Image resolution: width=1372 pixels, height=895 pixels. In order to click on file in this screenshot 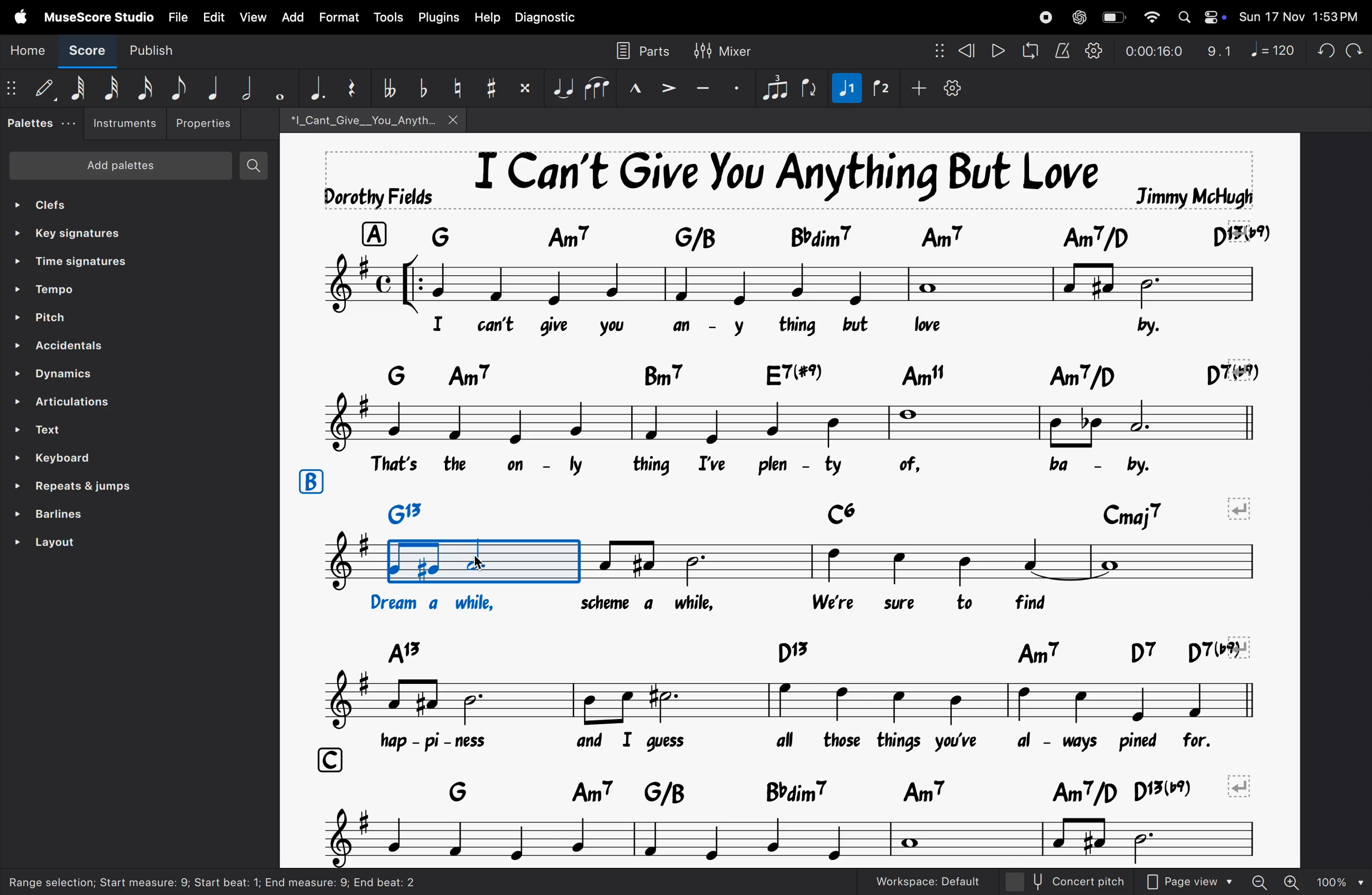, I will do `click(177, 17)`.